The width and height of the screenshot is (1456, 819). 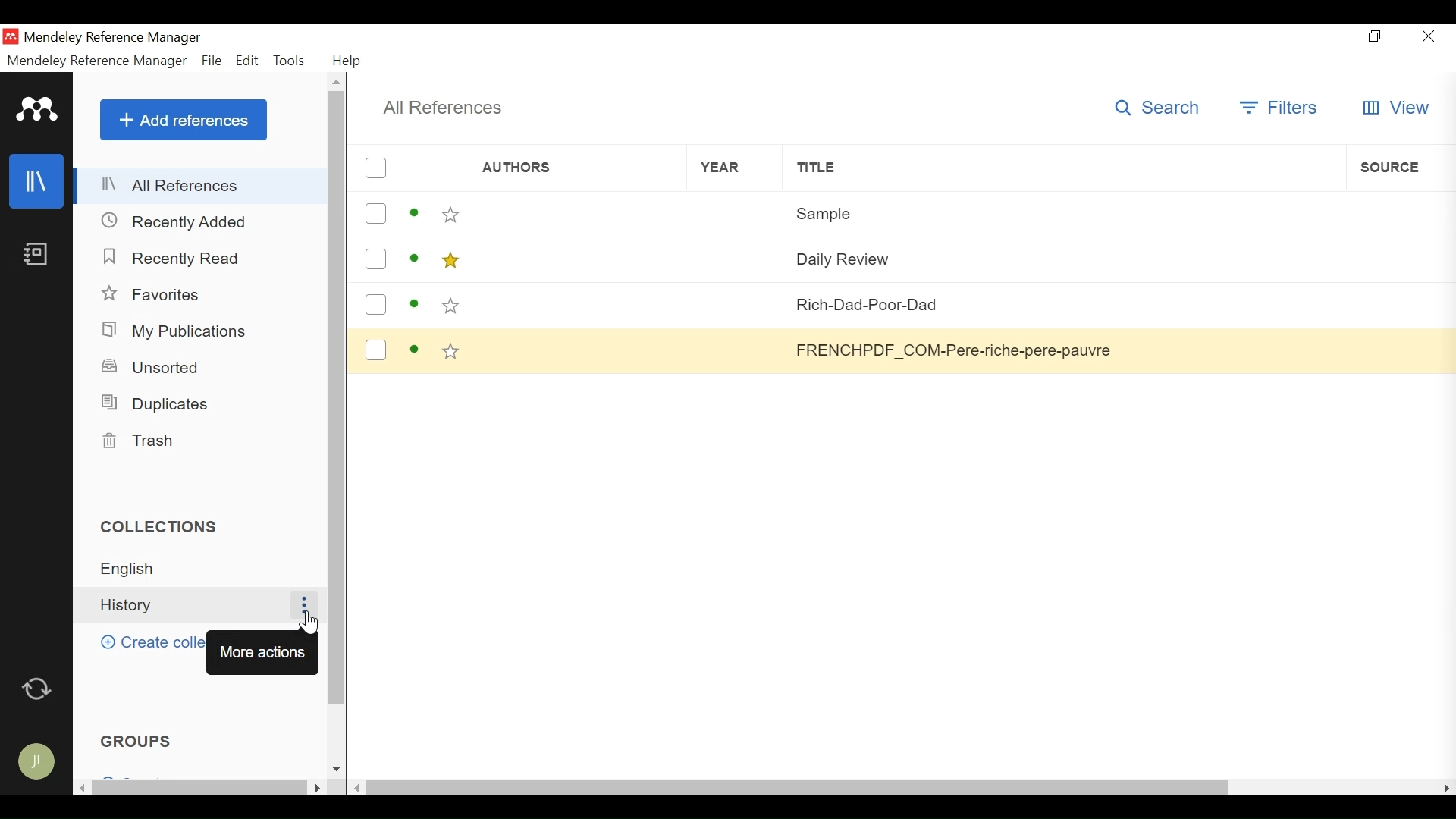 I want to click on Year, so click(x=734, y=214).